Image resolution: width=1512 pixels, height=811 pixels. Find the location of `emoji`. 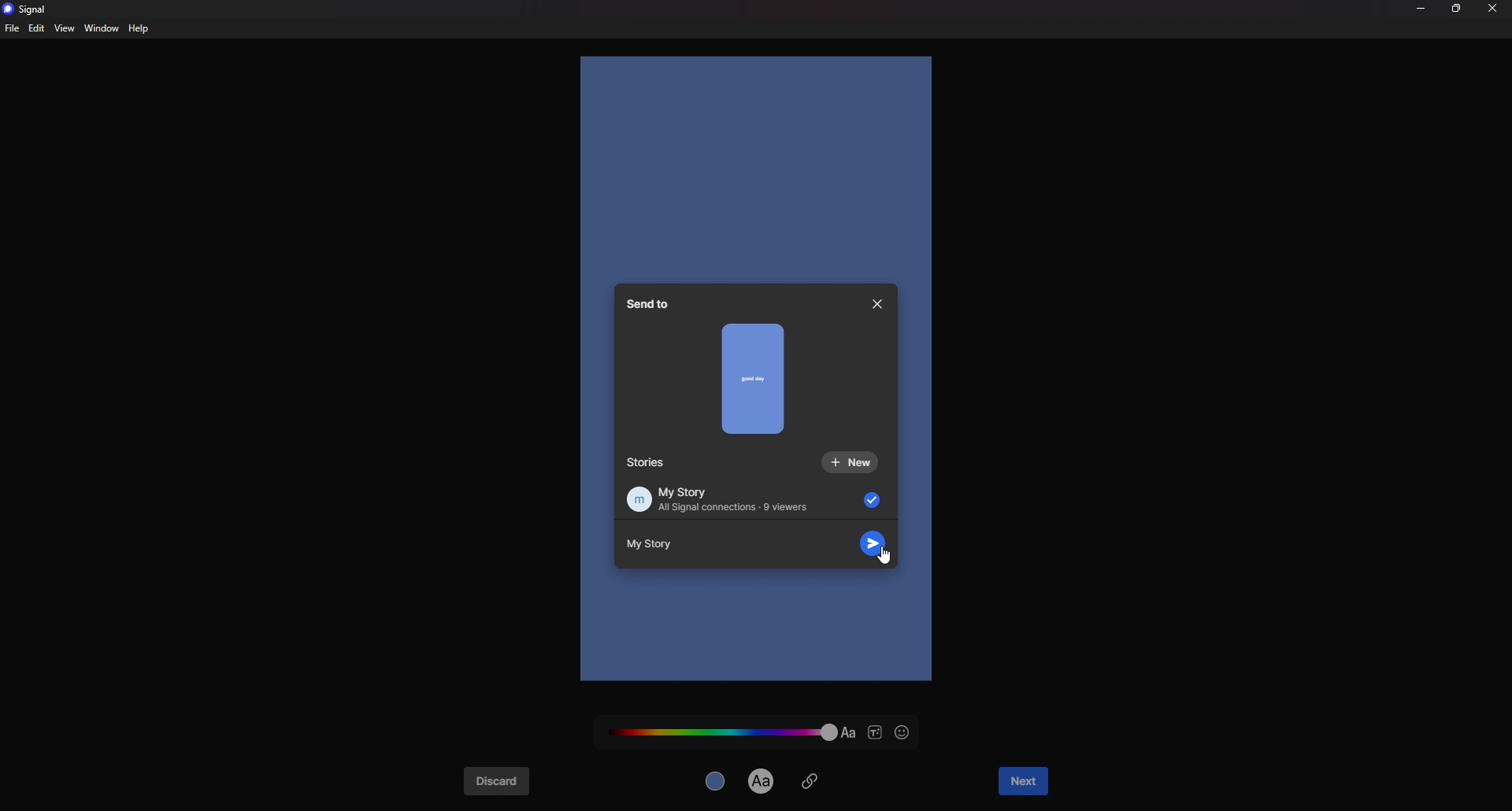

emoji is located at coordinates (904, 733).